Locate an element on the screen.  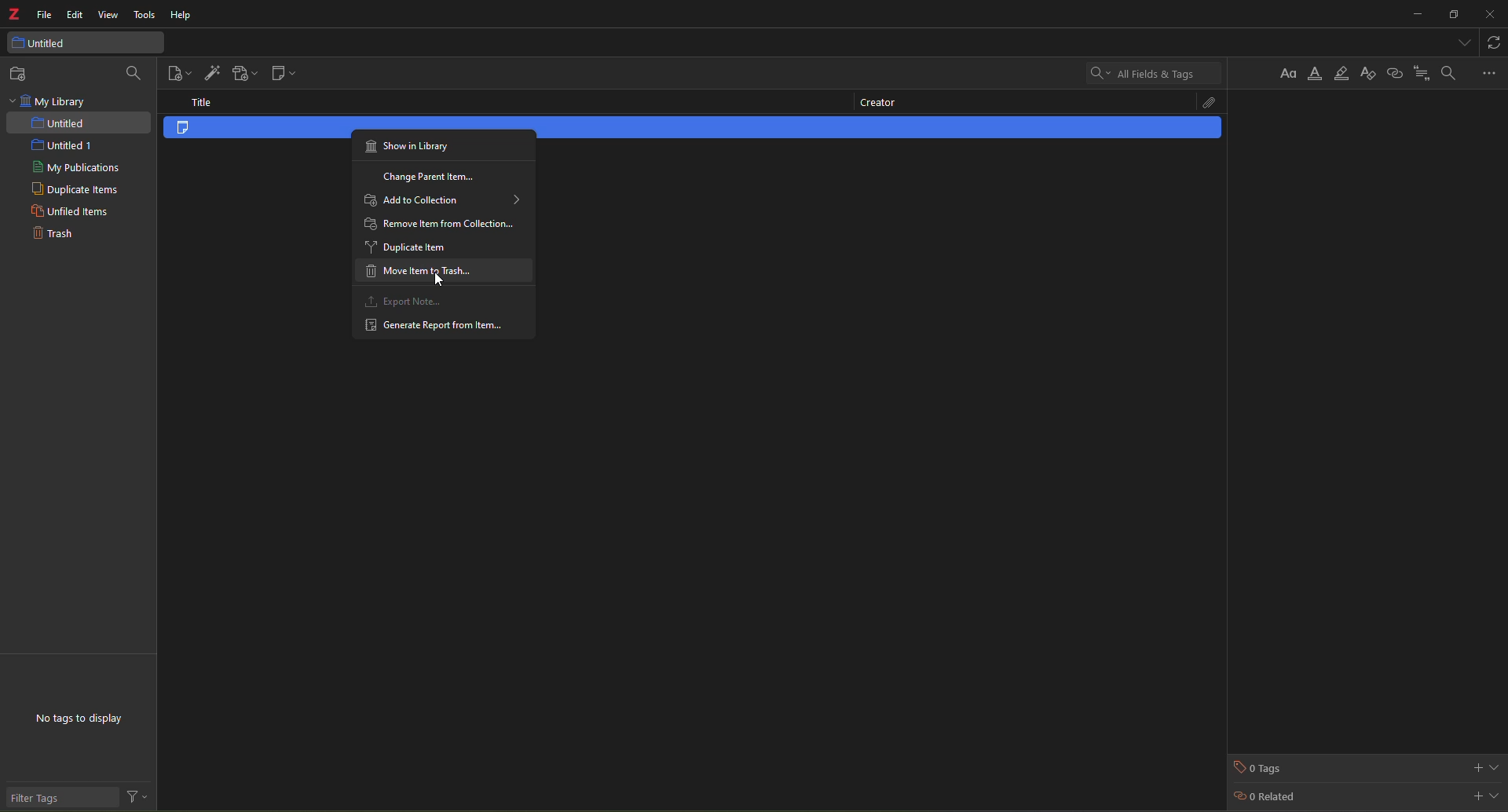
filter tags is located at coordinates (41, 798).